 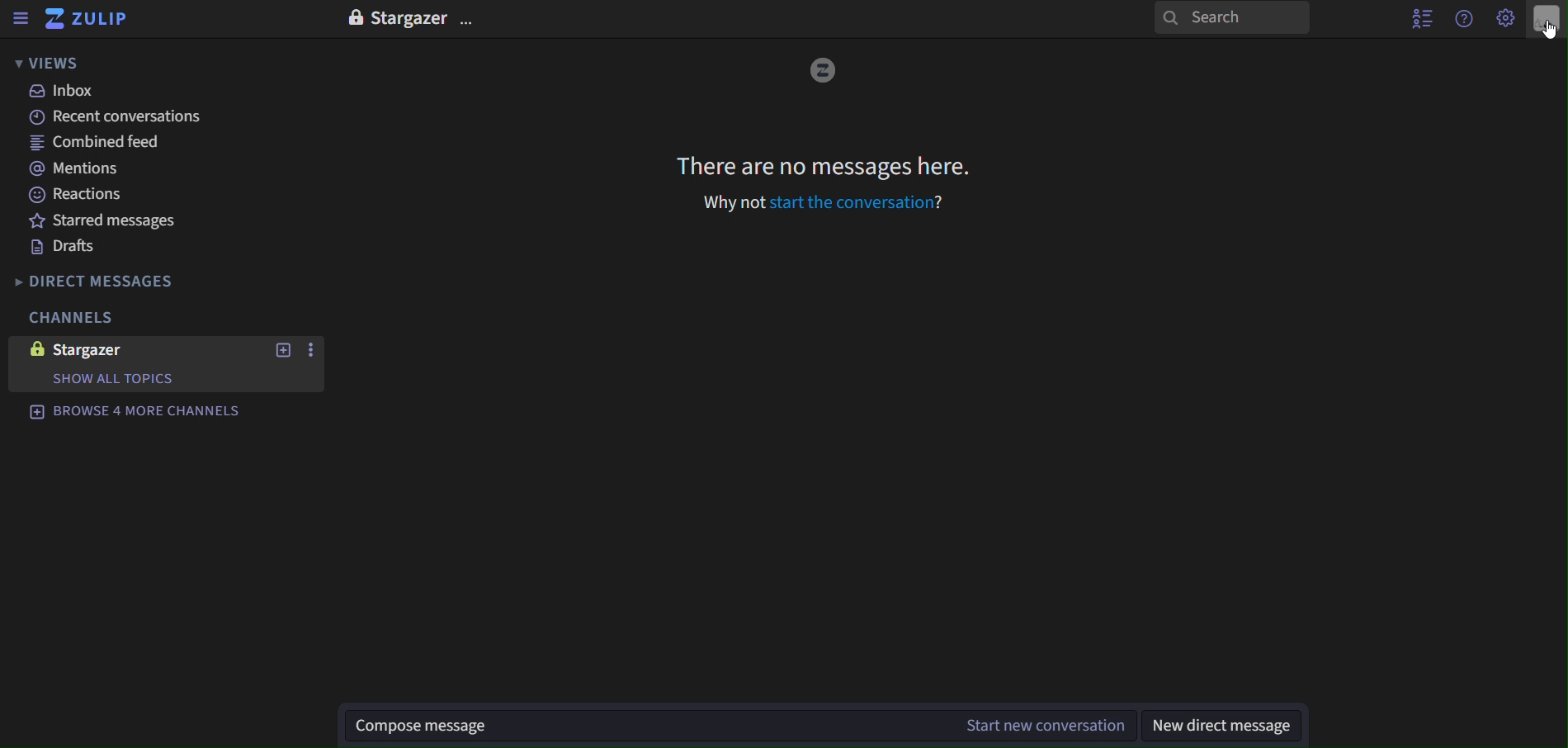 What do you see at coordinates (468, 23) in the screenshot?
I see `options` at bounding box center [468, 23].